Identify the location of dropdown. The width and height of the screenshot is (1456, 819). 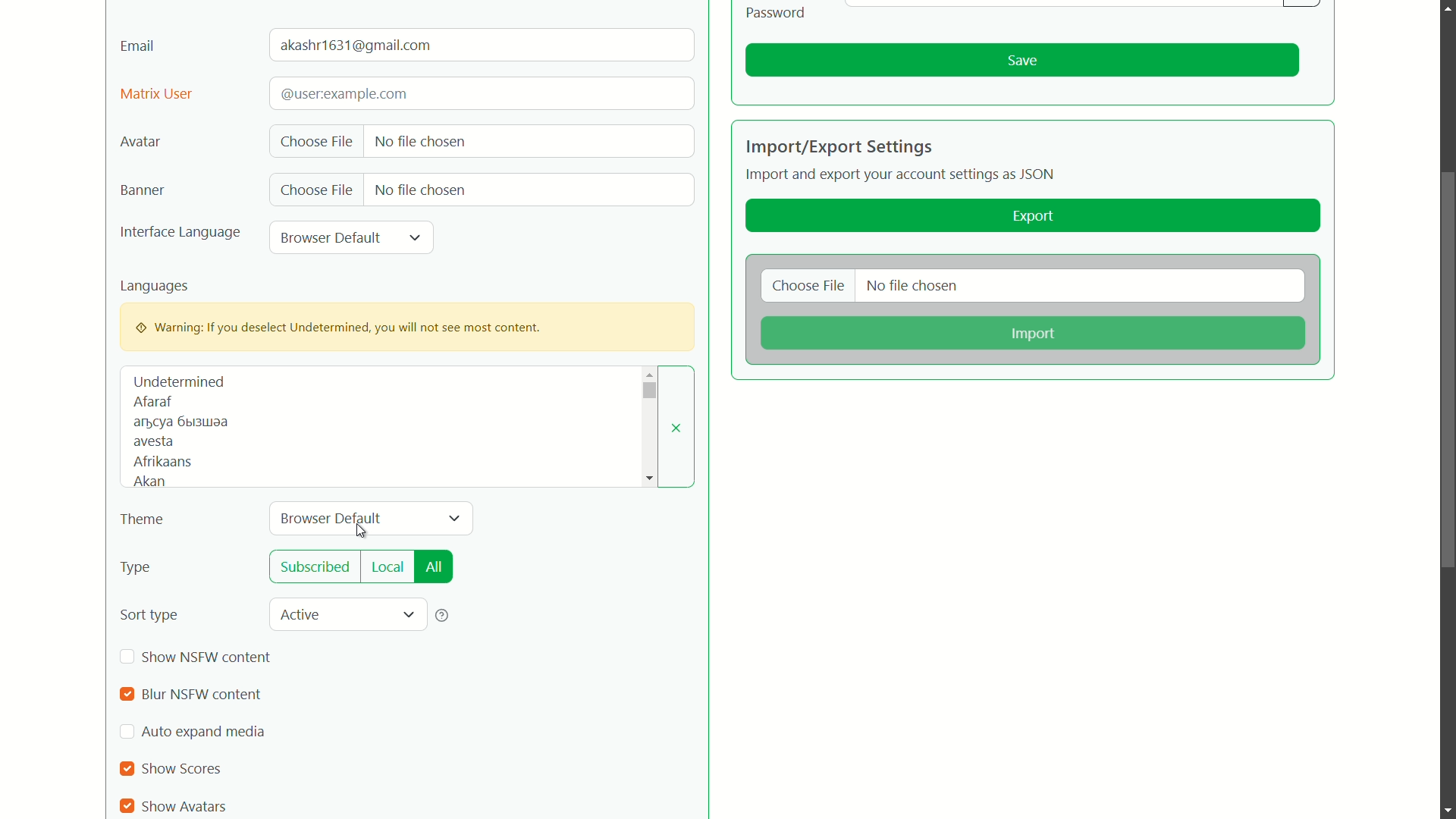
(416, 237).